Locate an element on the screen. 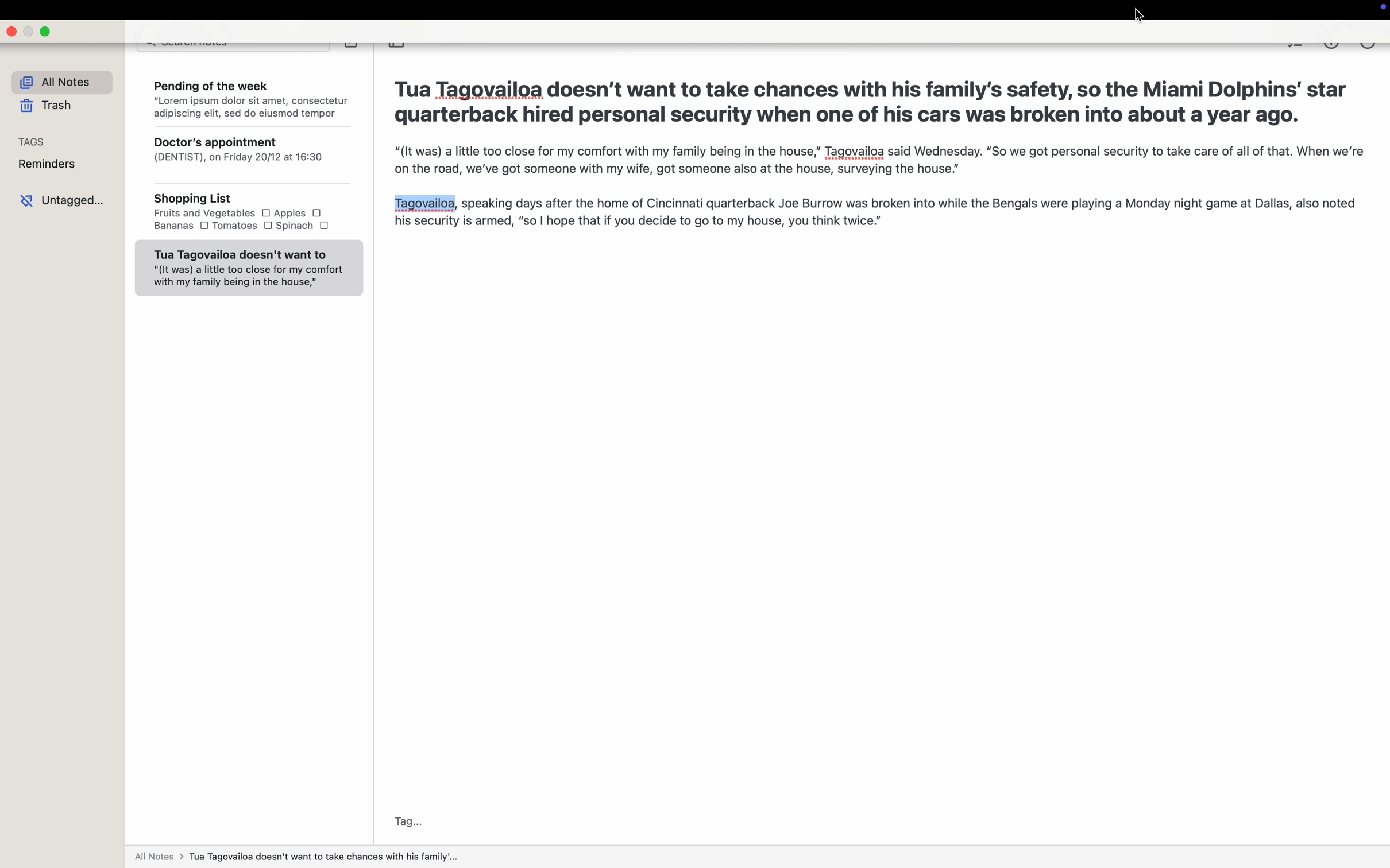  trash is located at coordinates (46, 106).